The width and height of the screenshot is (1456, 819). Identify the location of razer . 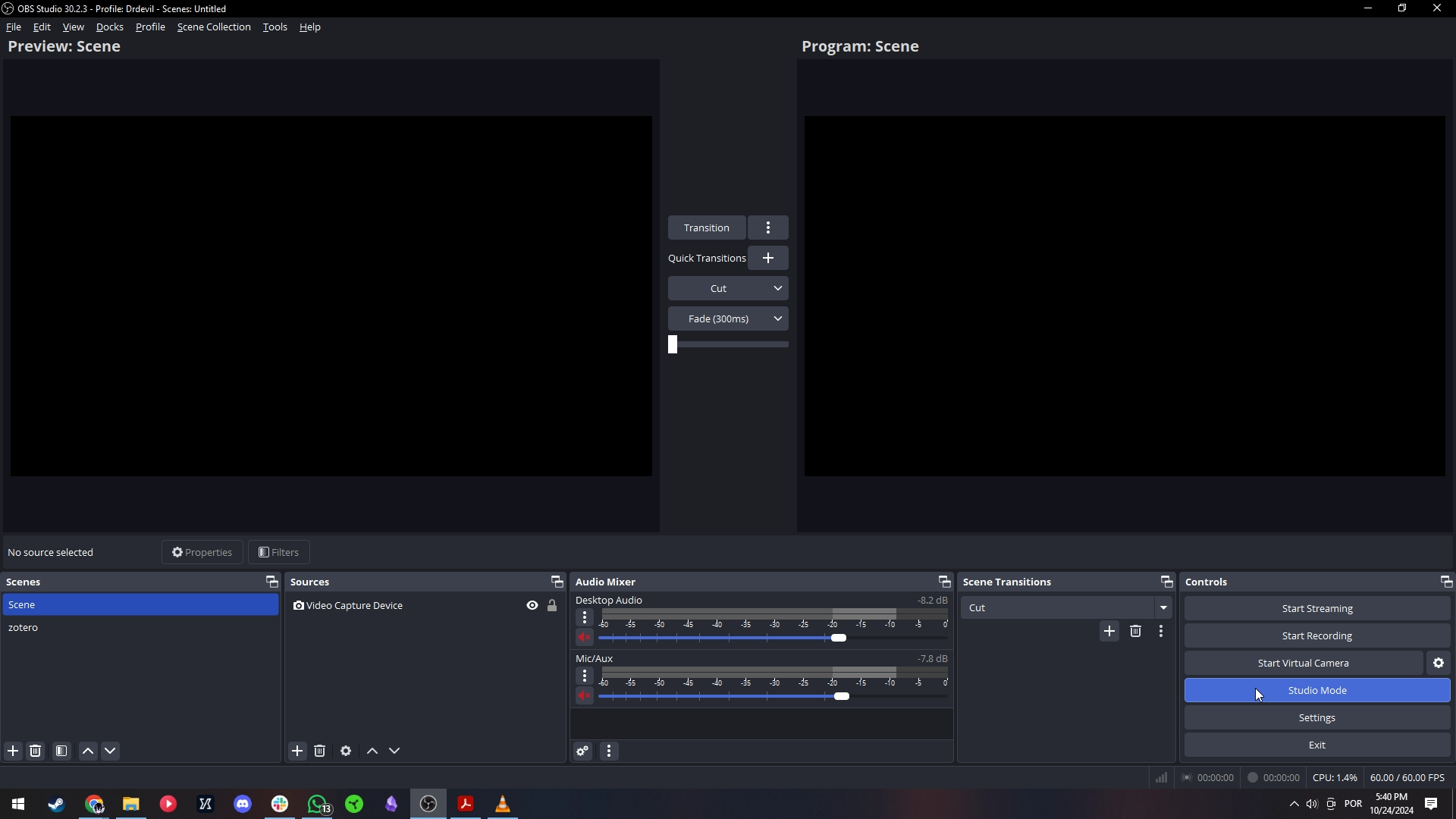
(355, 802).